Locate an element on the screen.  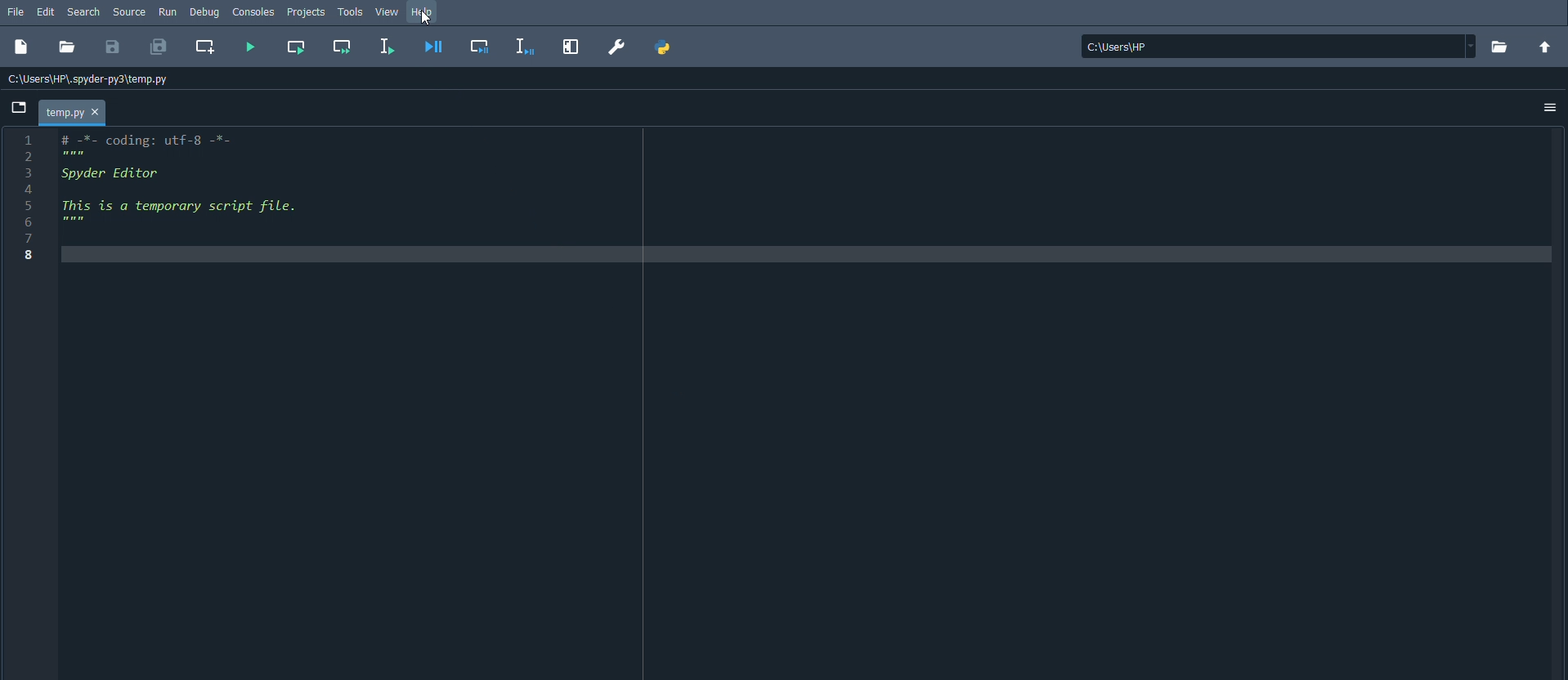
Projects is located at coordinates (305, 11).